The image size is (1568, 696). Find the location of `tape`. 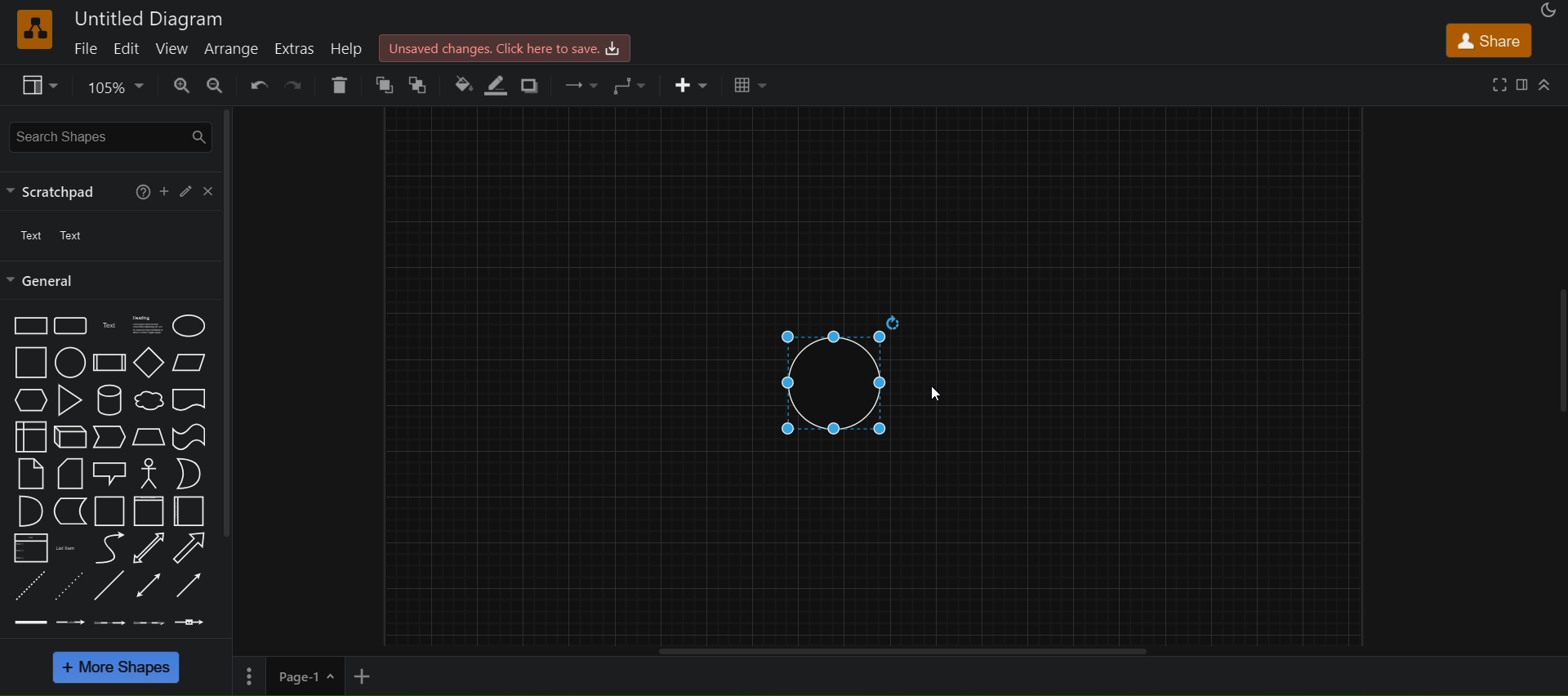

tape is located at coordinates (188, 437).